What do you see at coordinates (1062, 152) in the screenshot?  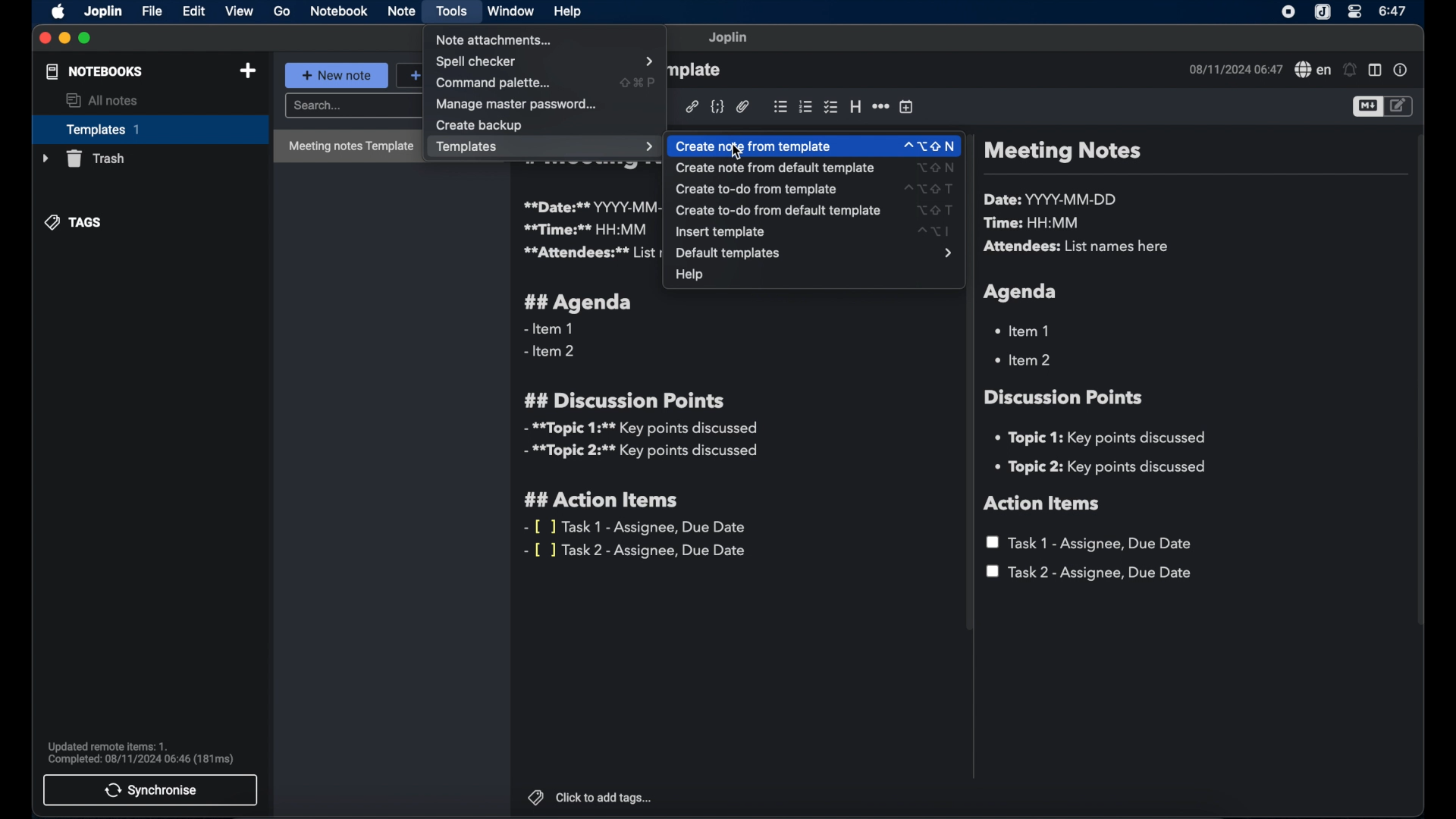 I see `meeting notes` at bounding box center [1062, 152].